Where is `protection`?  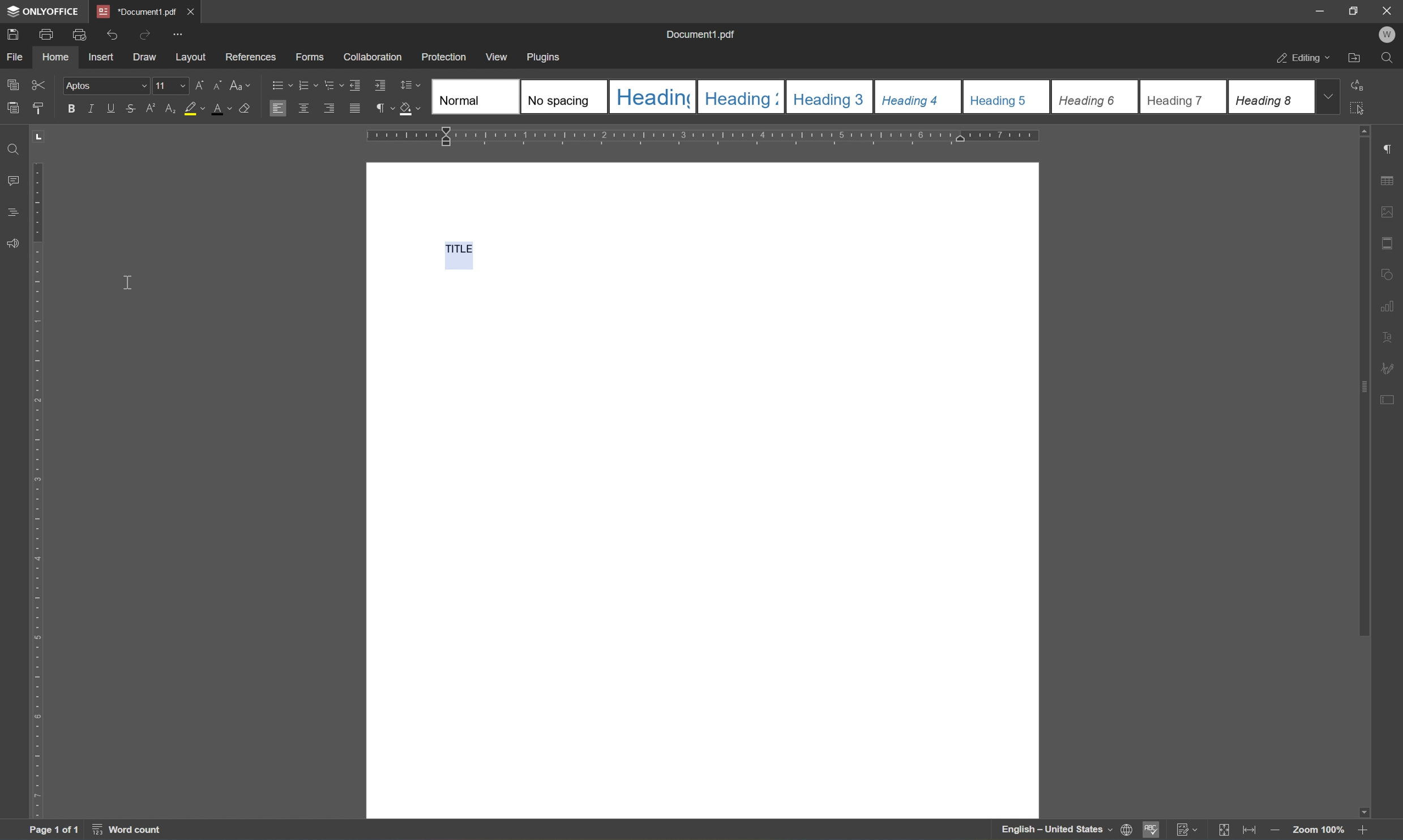
protection is located at coordinates (444, 57).